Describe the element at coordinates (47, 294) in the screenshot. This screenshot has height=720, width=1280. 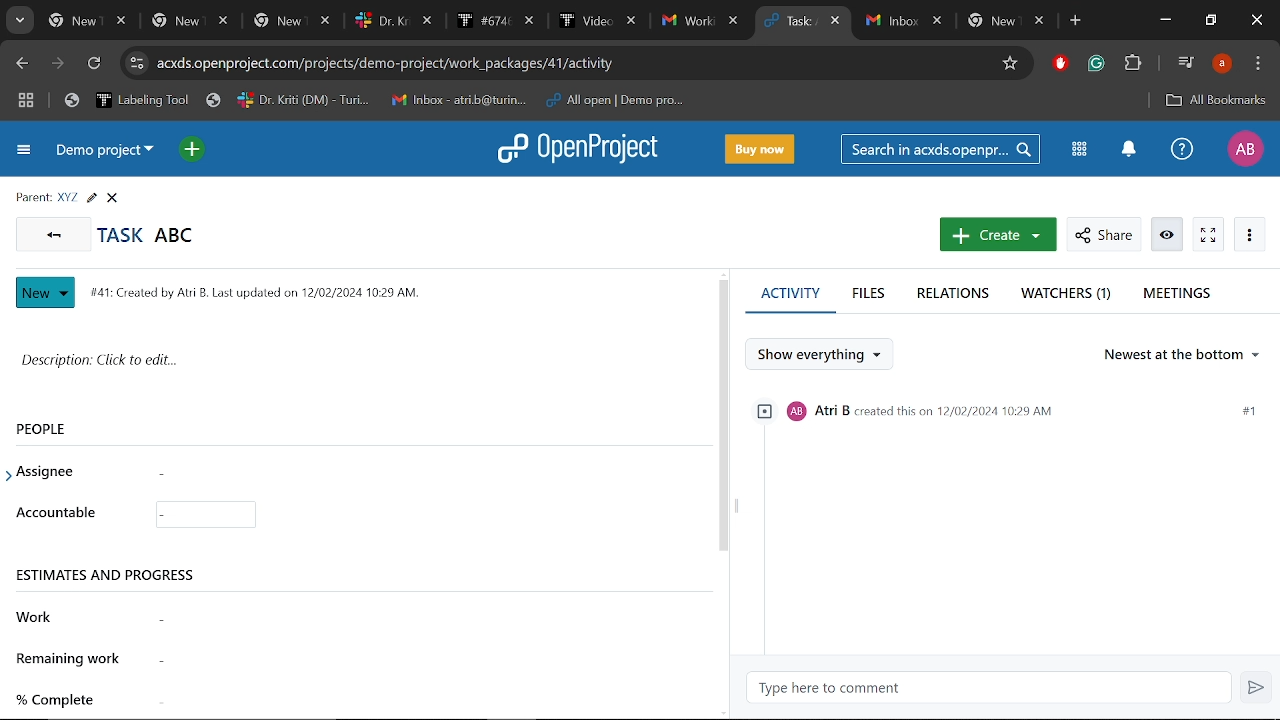
I see `New` at that location.